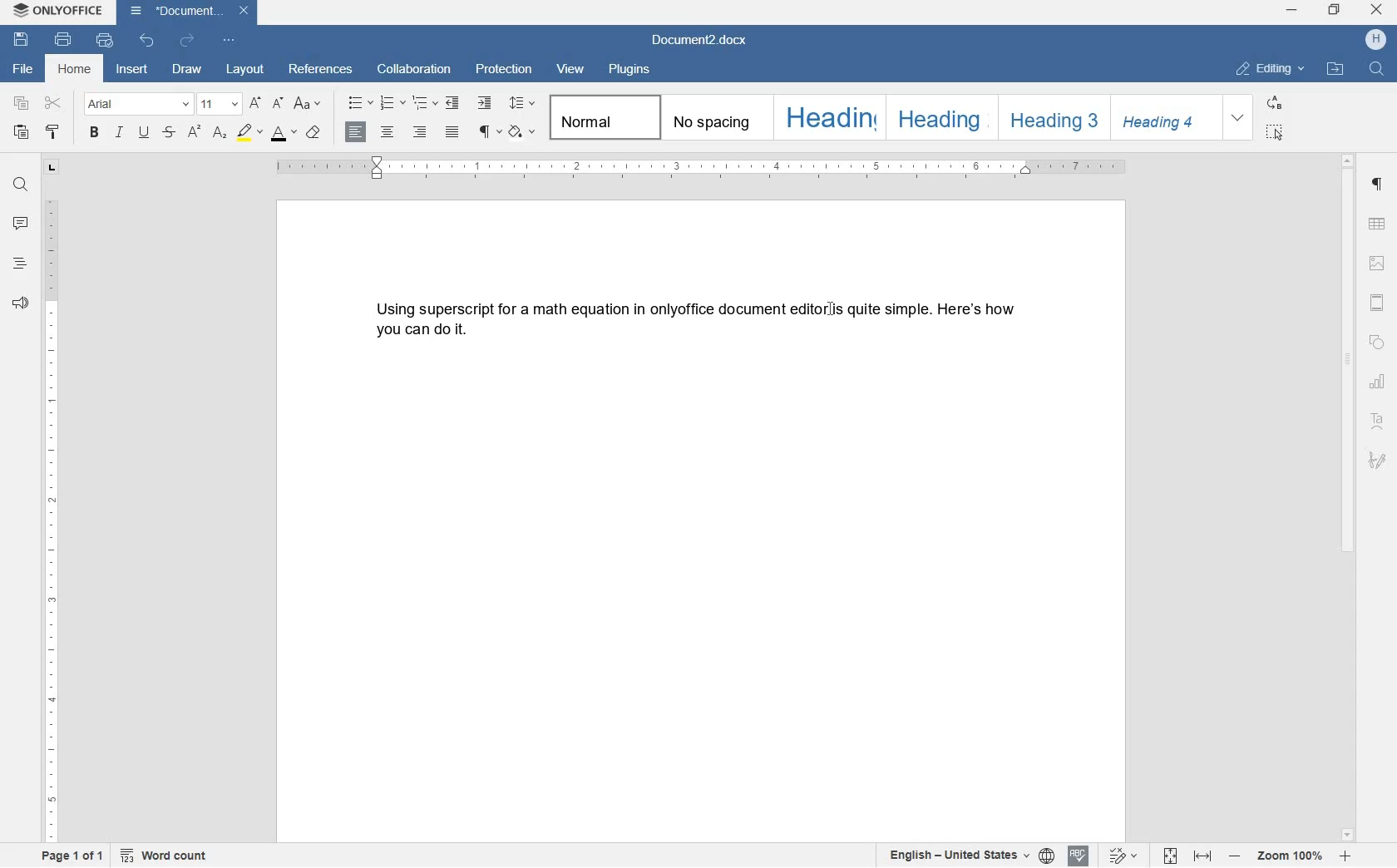  Describe the element at coordinates (76, 68) in the screenshot. I see `home` at that location.